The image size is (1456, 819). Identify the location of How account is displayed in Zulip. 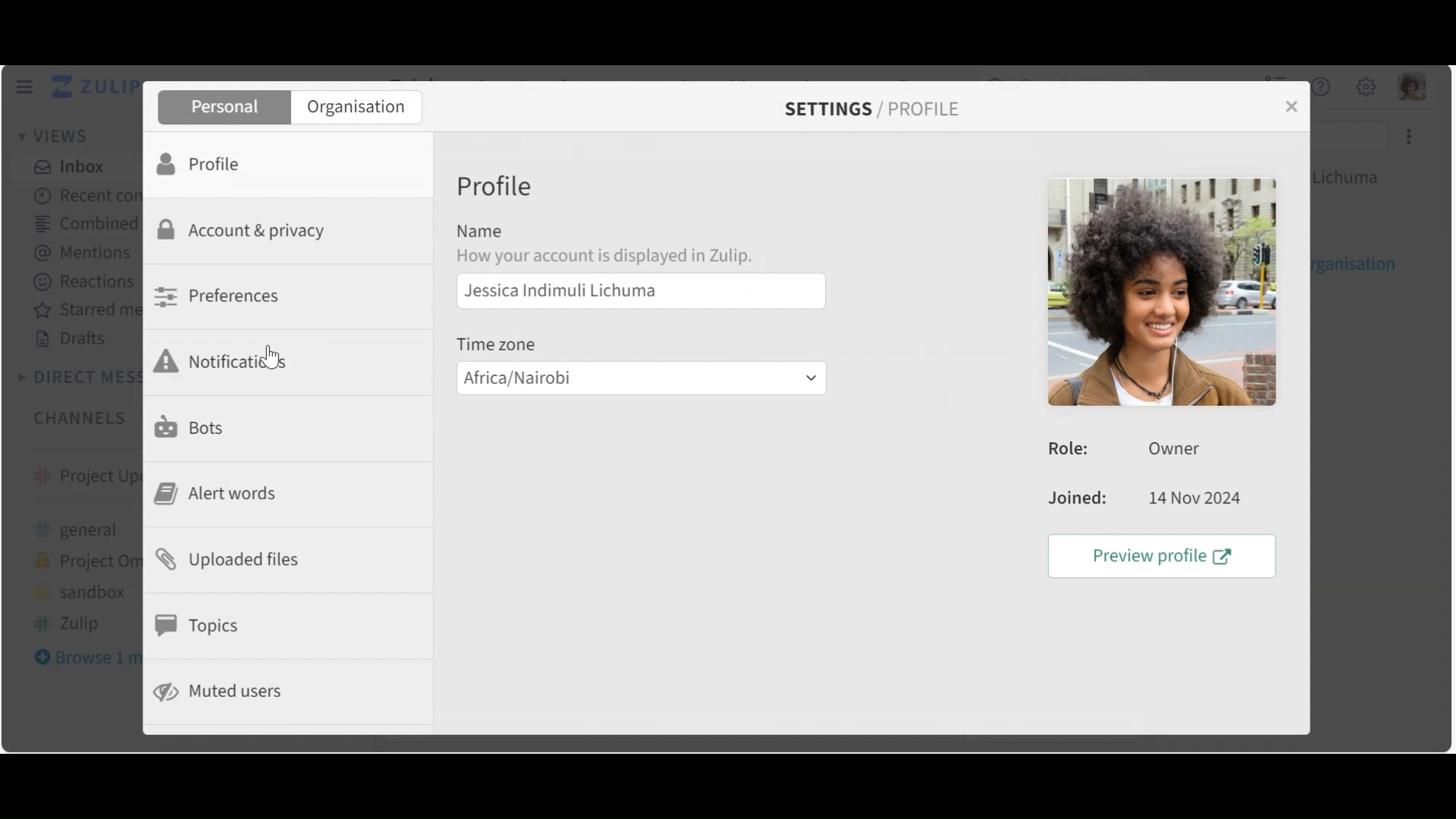
(615, 256).